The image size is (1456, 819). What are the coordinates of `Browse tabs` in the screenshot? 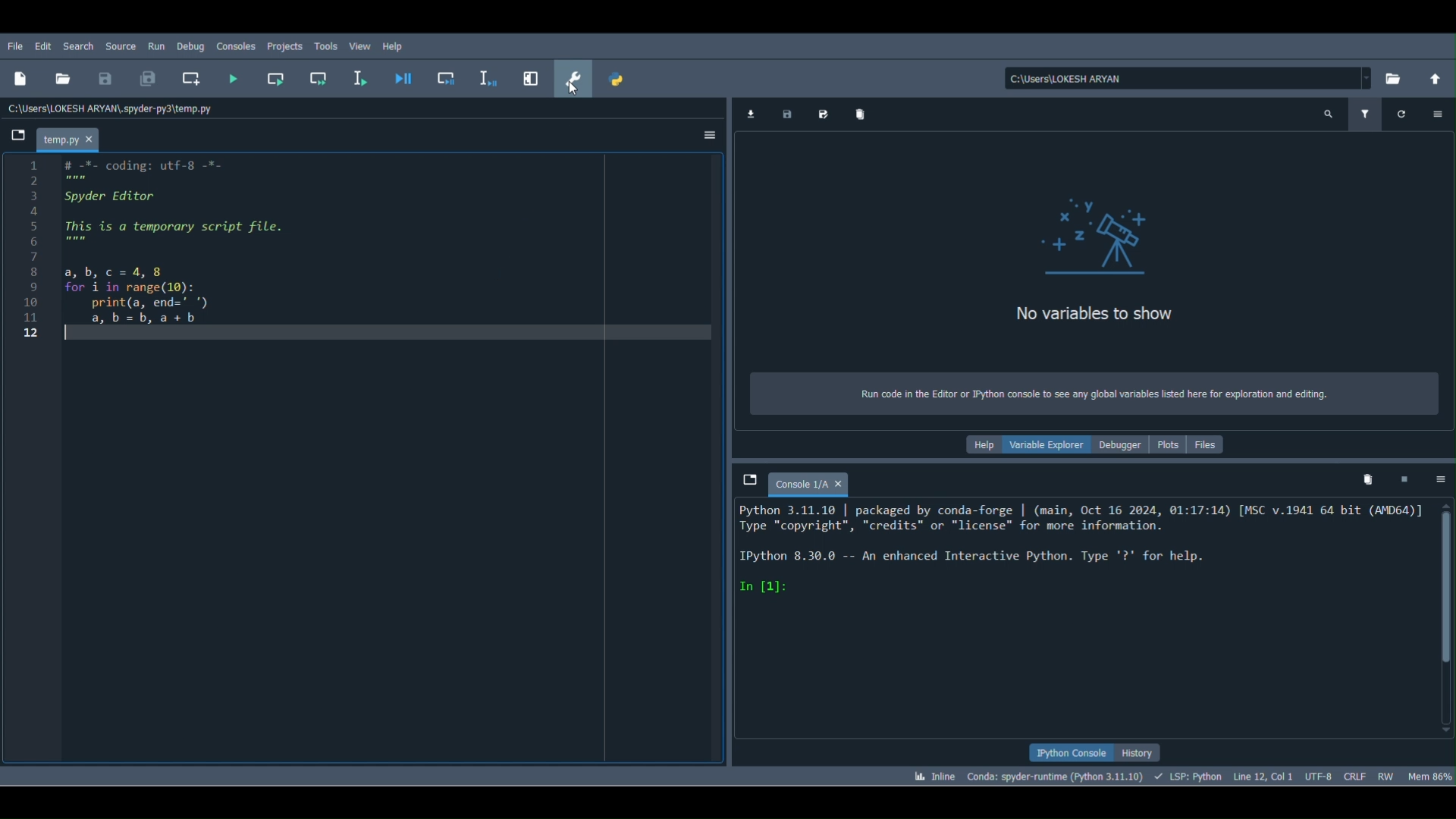 It's located at (748, 482).